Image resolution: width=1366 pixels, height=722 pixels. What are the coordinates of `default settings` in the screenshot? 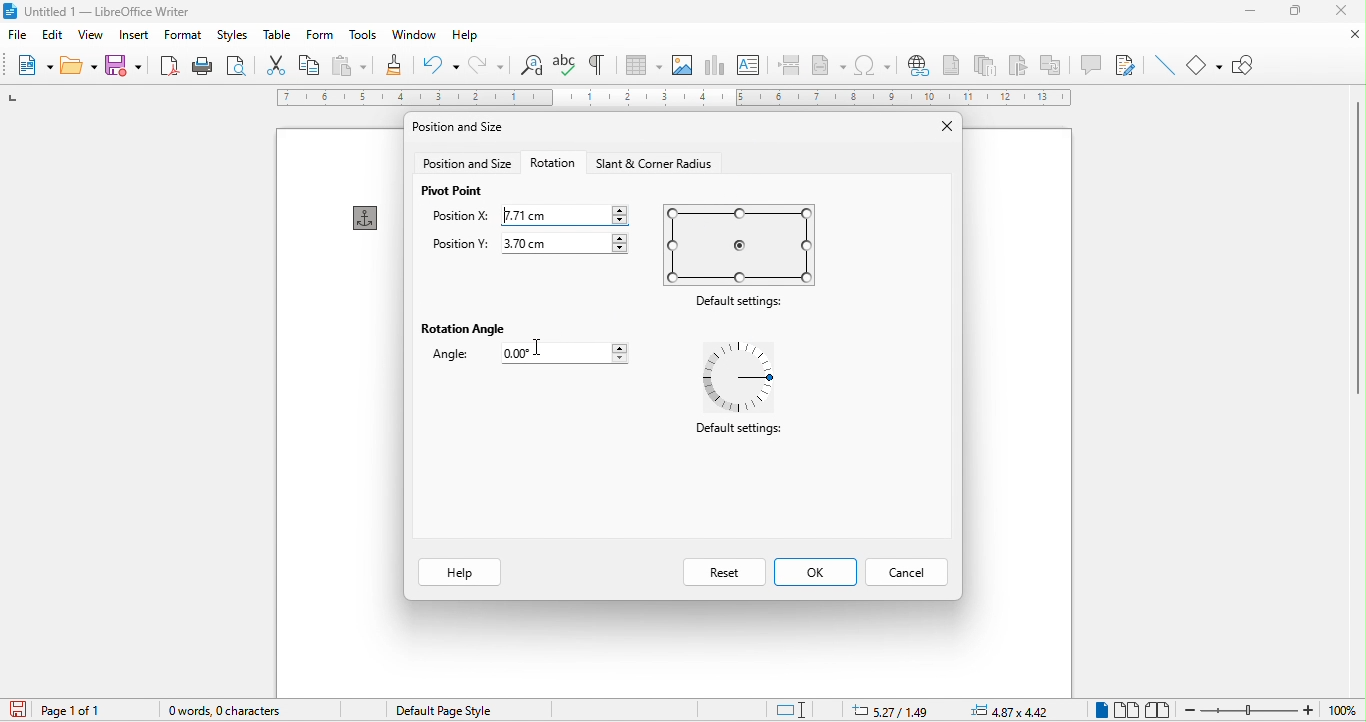 It's located at (747, 375).